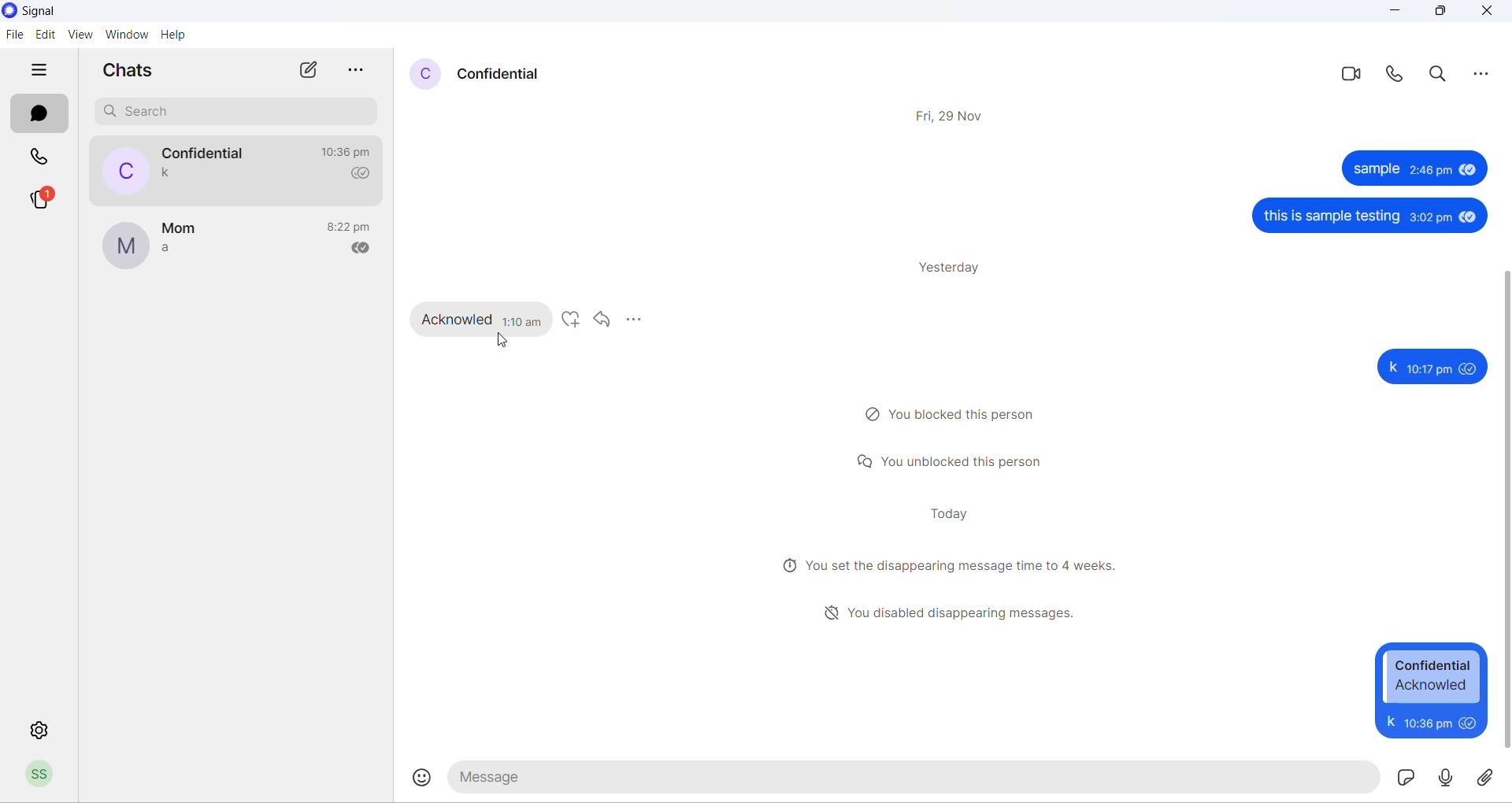 Image resolution: width=1512 pixels, height=803 pixels. I want to click on settings, so click(36, 724).